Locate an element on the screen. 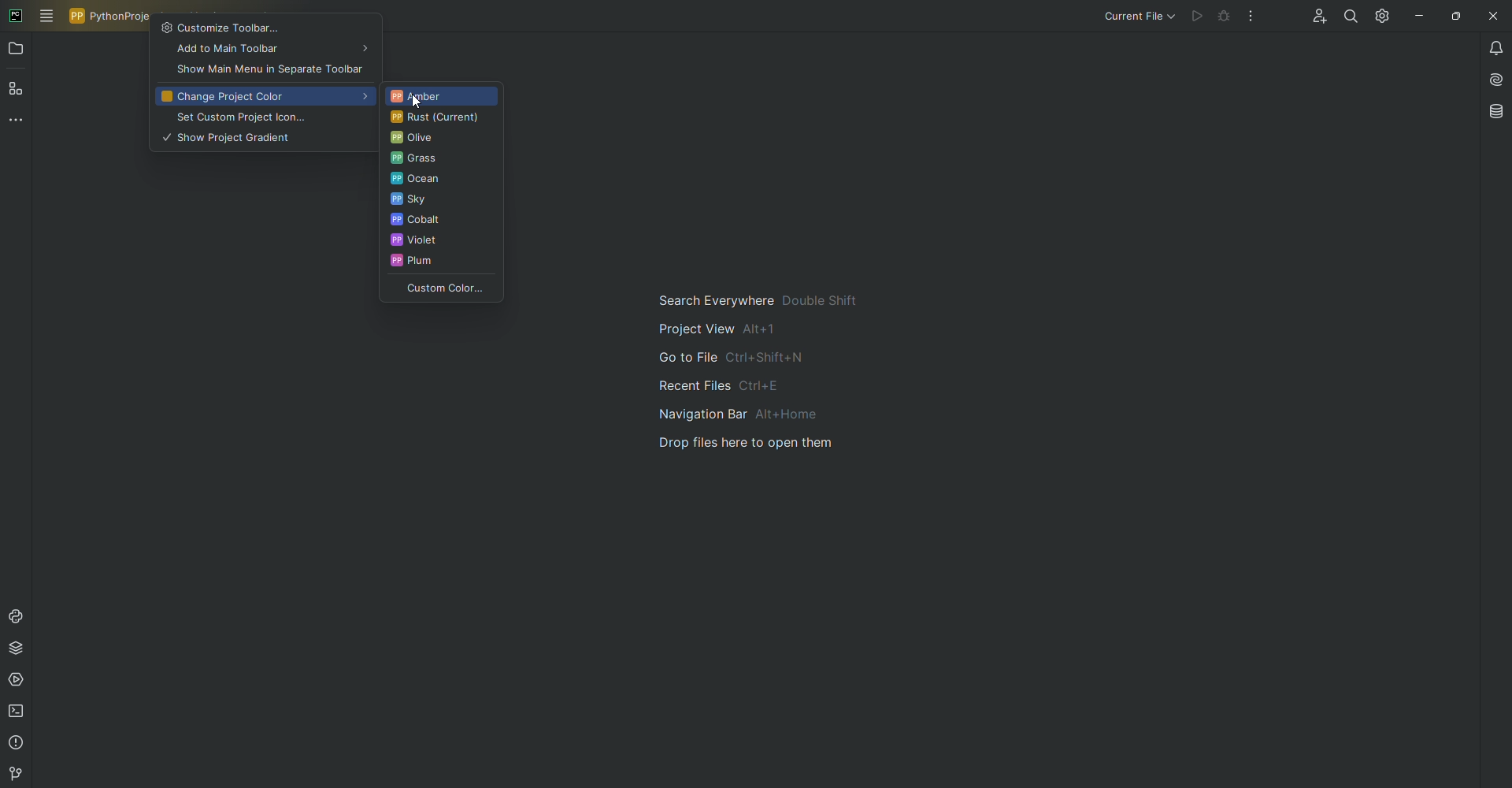 The height and width of the screenshot is (788, 1512). Rust is located at coordinates (437, 118).